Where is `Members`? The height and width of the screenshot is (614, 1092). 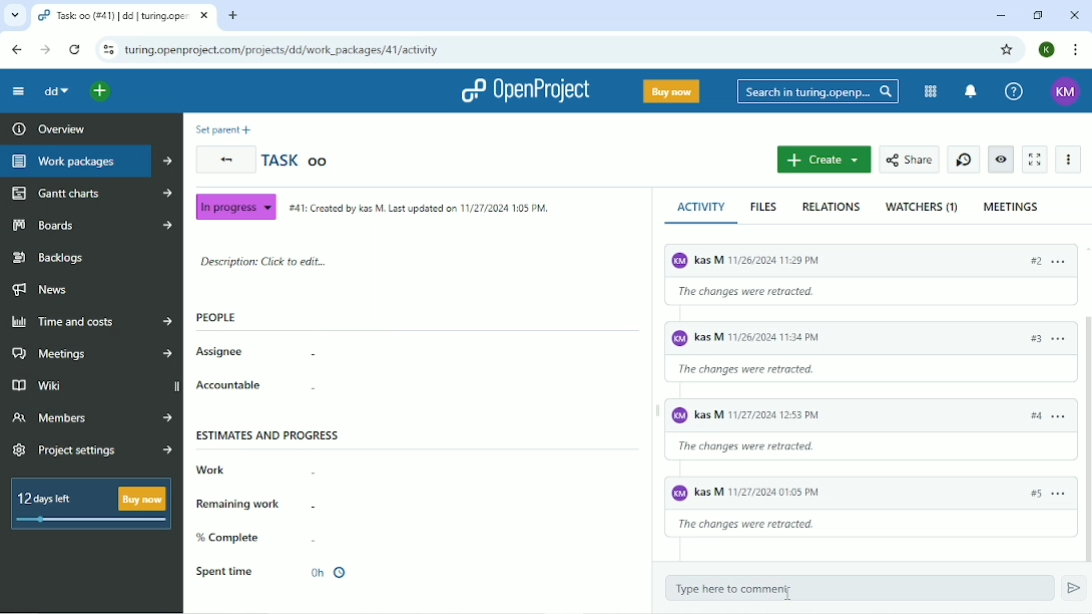 Members is located at coordinates (92, 416).